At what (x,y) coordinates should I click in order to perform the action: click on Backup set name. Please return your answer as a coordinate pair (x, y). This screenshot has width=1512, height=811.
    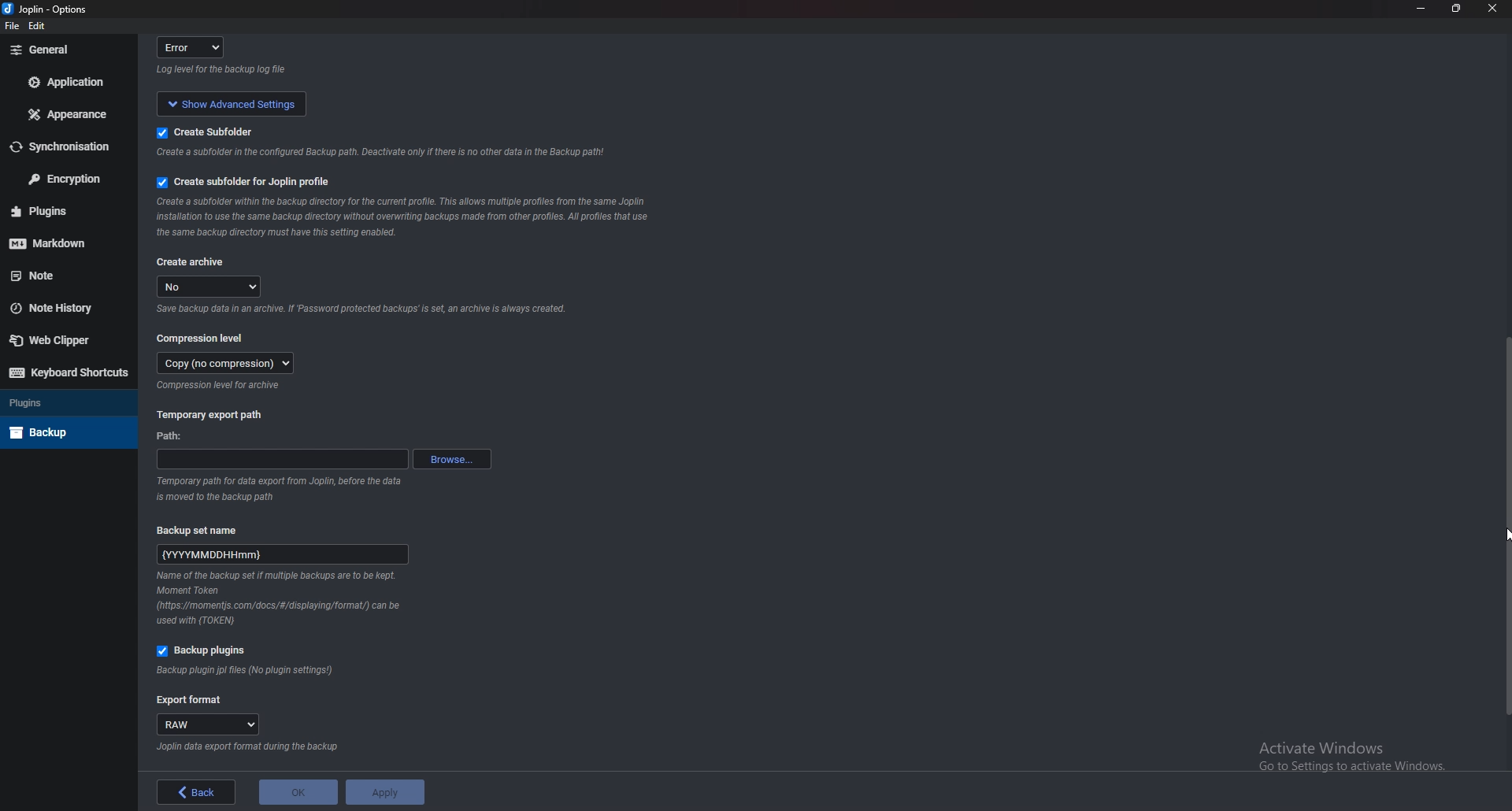
    Looking at the image, I should click on (206, 529).